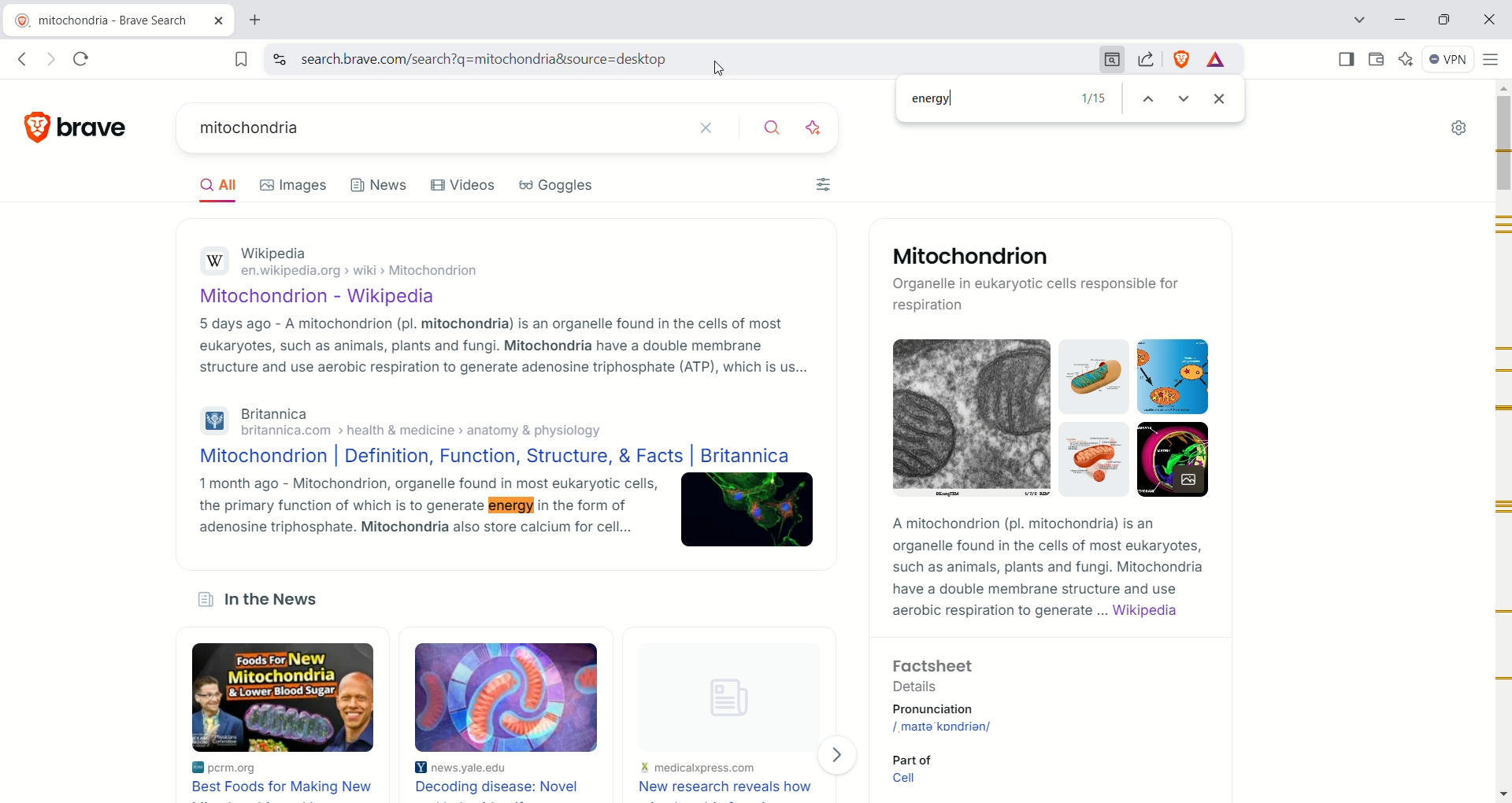  I want to click on close, so click(1490, 18).